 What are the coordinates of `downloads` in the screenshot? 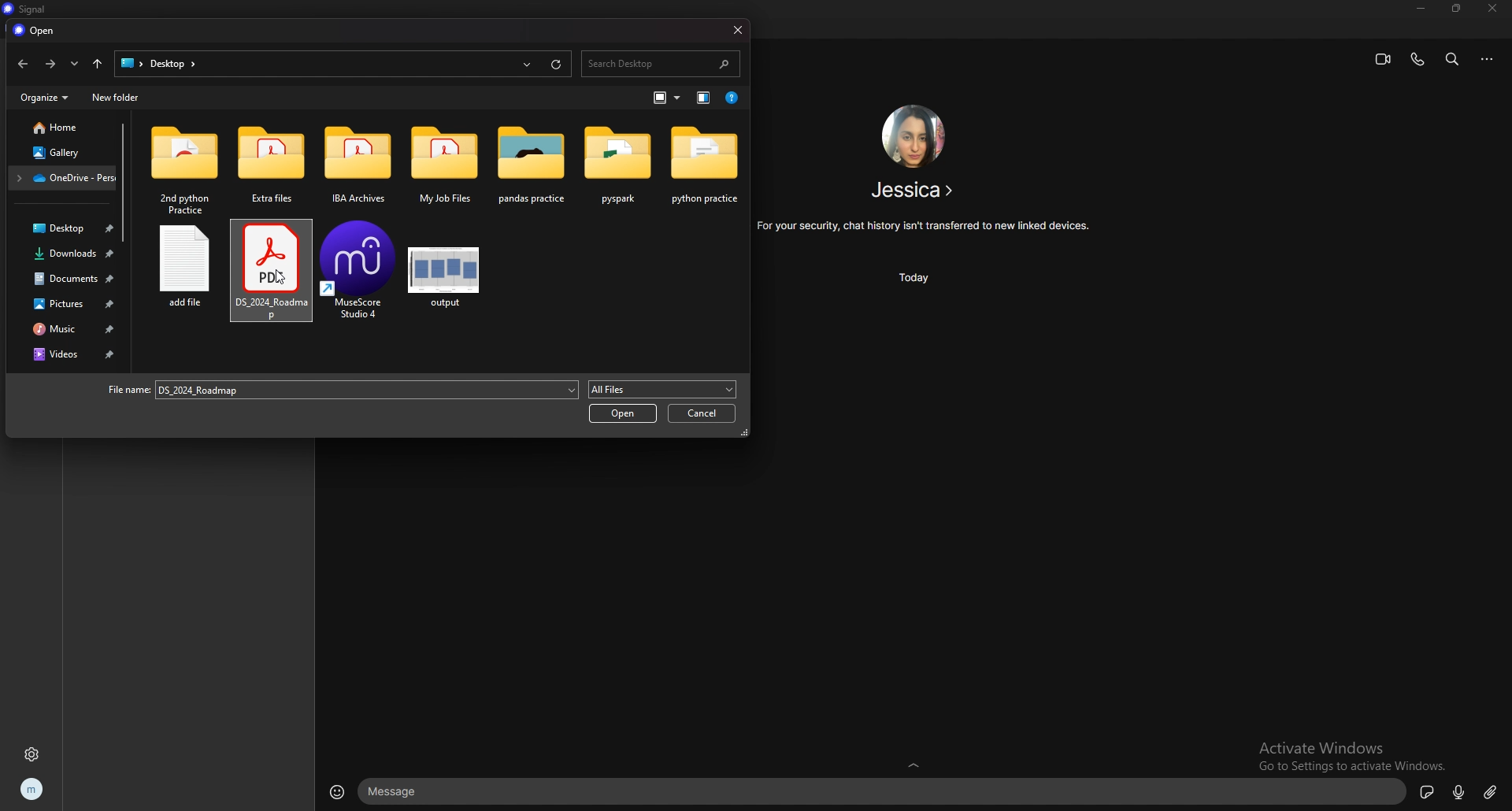 It's located at (65, 254).